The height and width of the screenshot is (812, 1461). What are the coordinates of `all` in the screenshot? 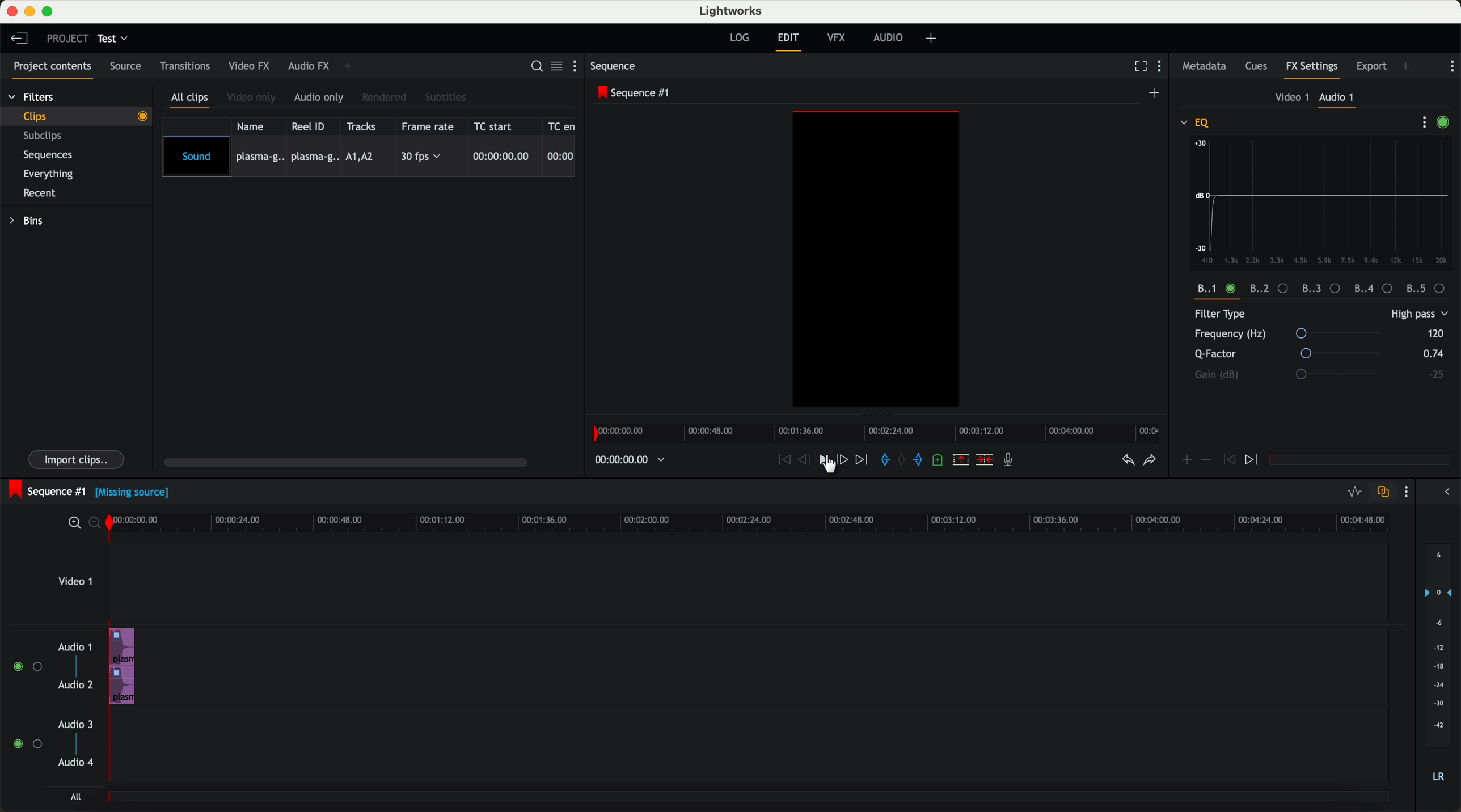 It's located at (74, 798).